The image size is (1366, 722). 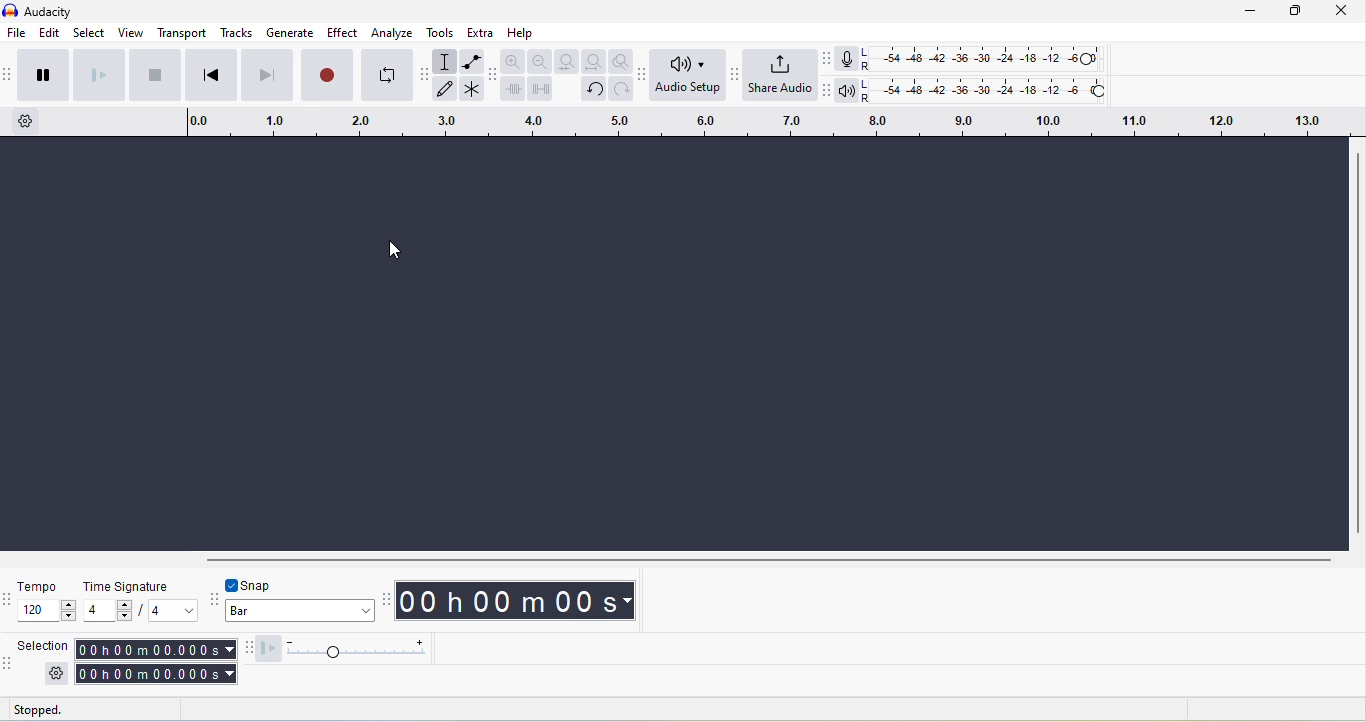 What do you see at coordinates (513, 63) in the screenshot?
I see `zoom in` at bounding box center [513, 63].